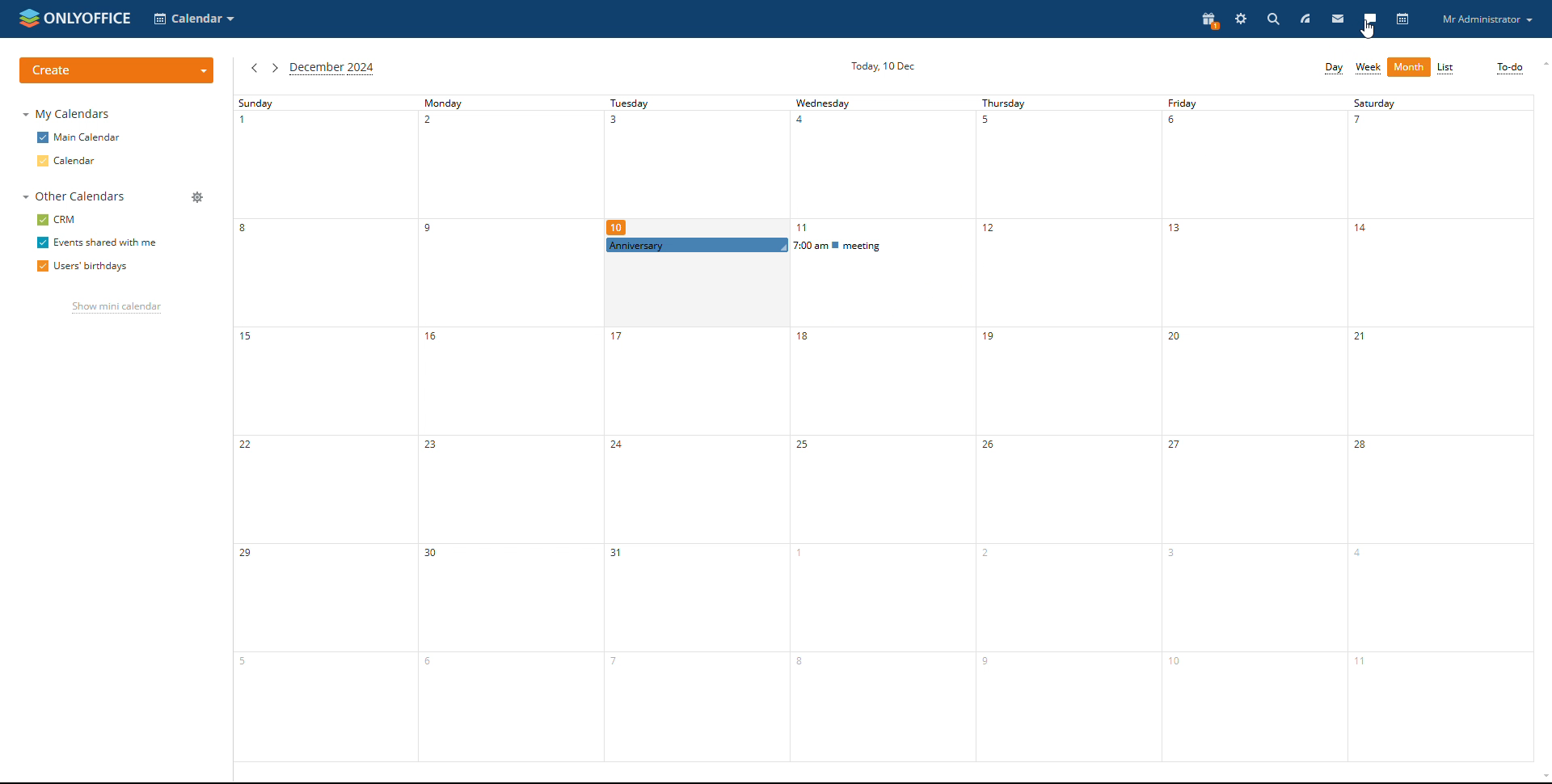 The width and height of the screenshot is (1552, 784). I want to click on month view, so click(1408, 67).